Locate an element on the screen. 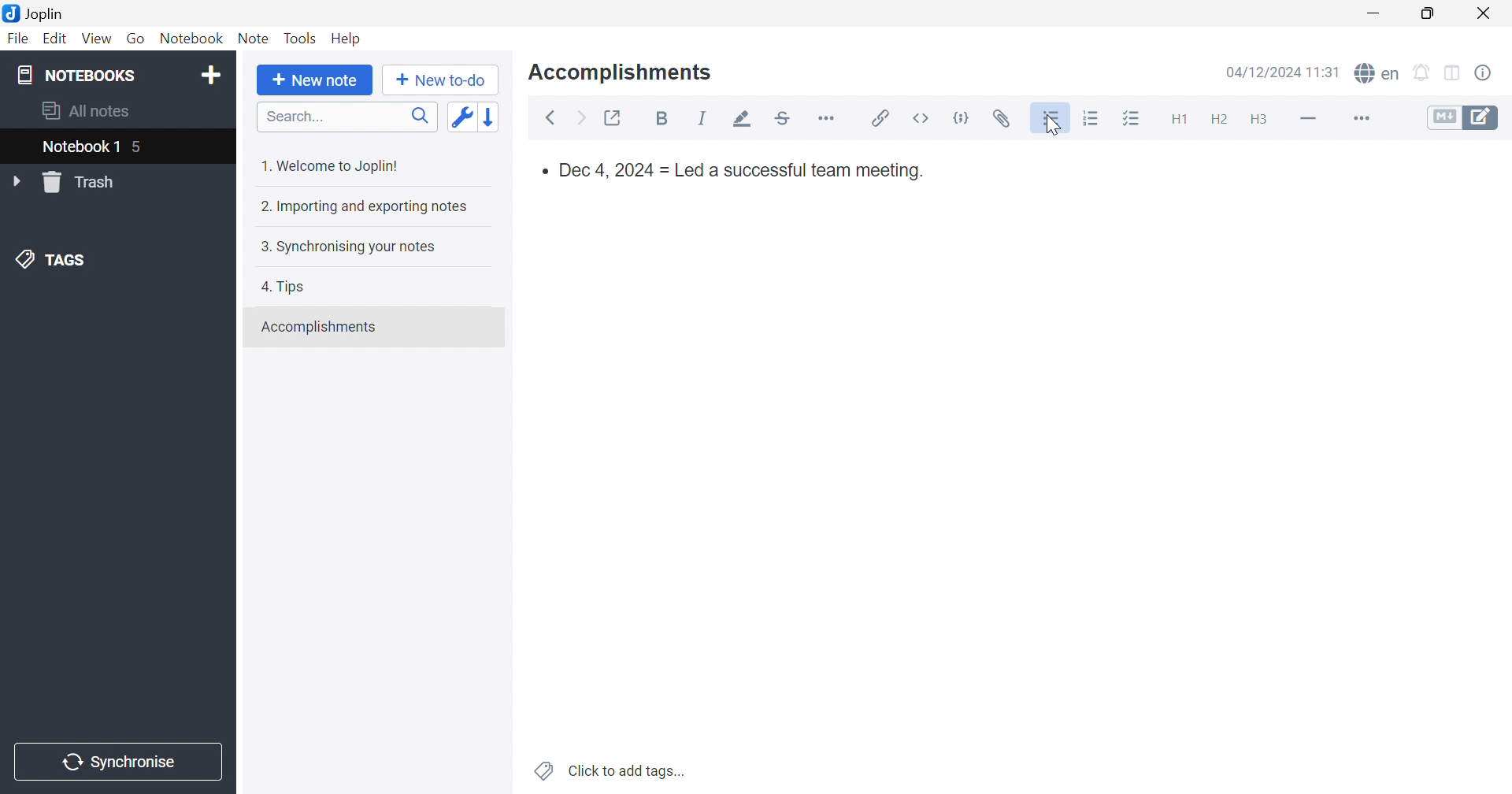 The width and height of the screenshot is (1512, 794). Note is located at coordinates (253, 40).